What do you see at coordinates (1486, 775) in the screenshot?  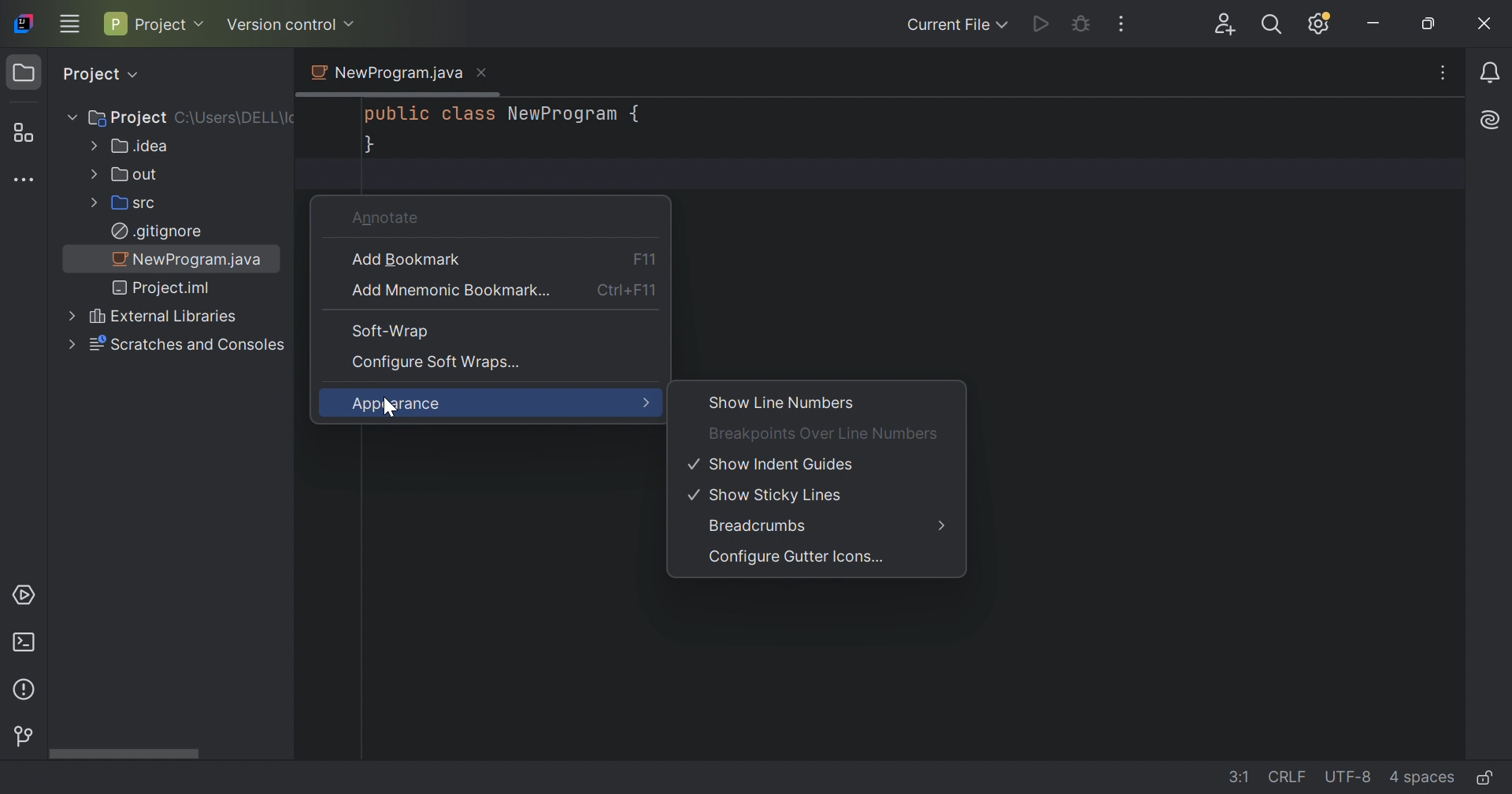 I see `Mark as Read only file` at bounding box center [1486, 775].